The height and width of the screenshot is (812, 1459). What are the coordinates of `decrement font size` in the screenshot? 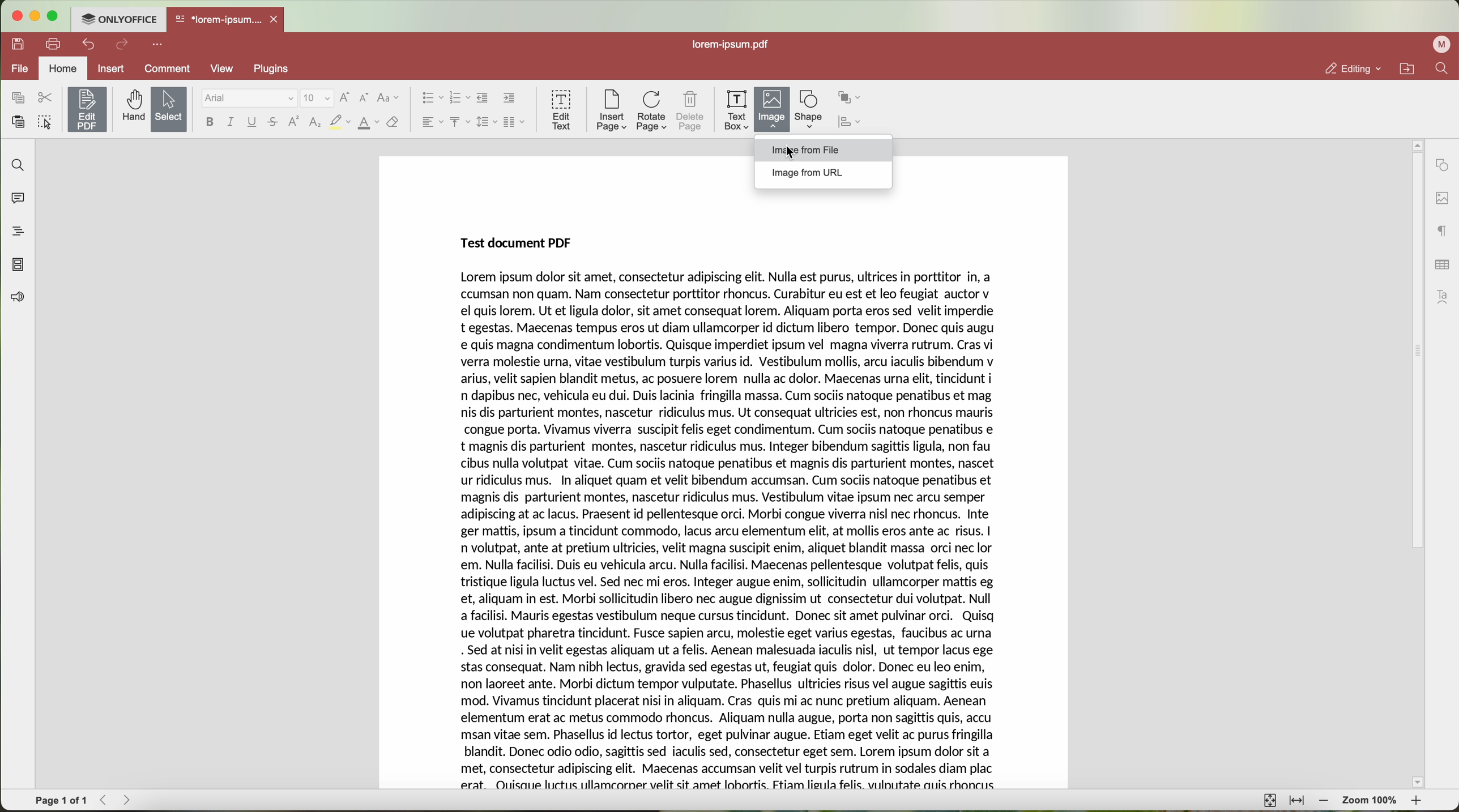 It's located at (364, 99).